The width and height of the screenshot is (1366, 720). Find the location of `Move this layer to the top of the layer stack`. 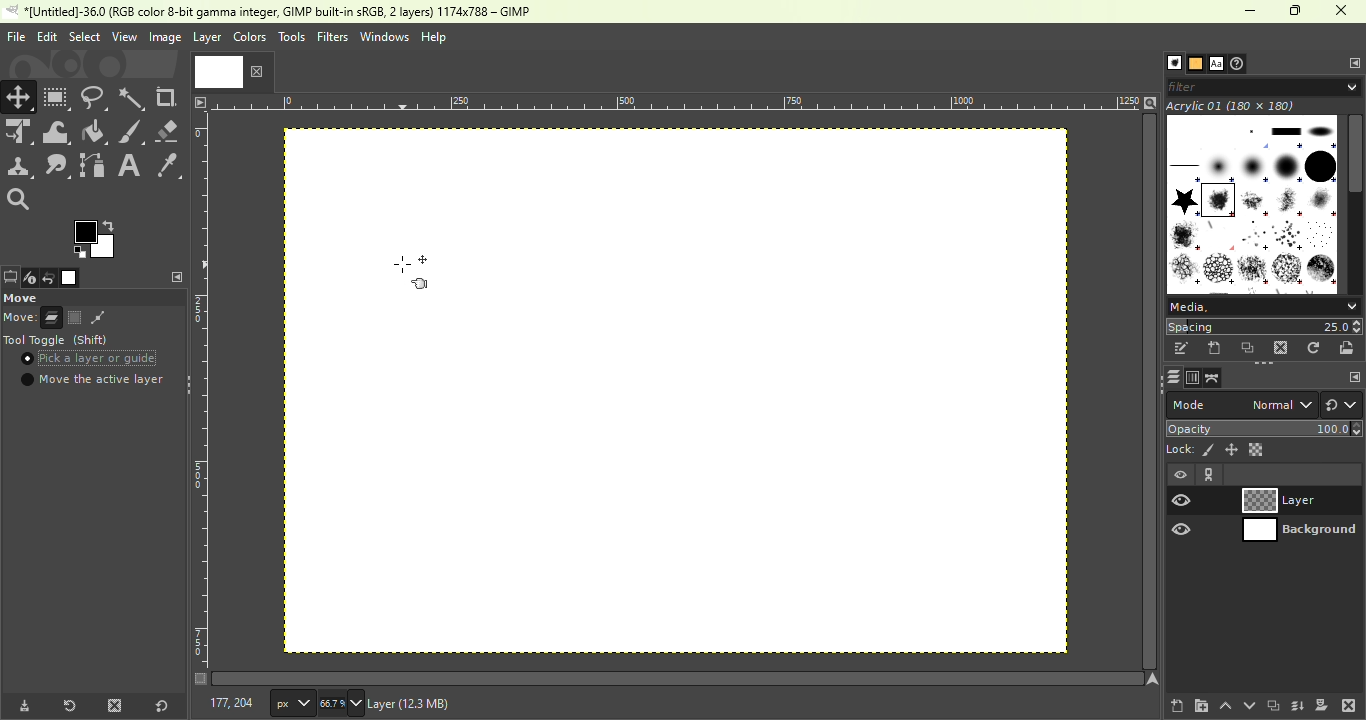

Move this layer to the top of the layer stack is located at coordinates (1224, 706).